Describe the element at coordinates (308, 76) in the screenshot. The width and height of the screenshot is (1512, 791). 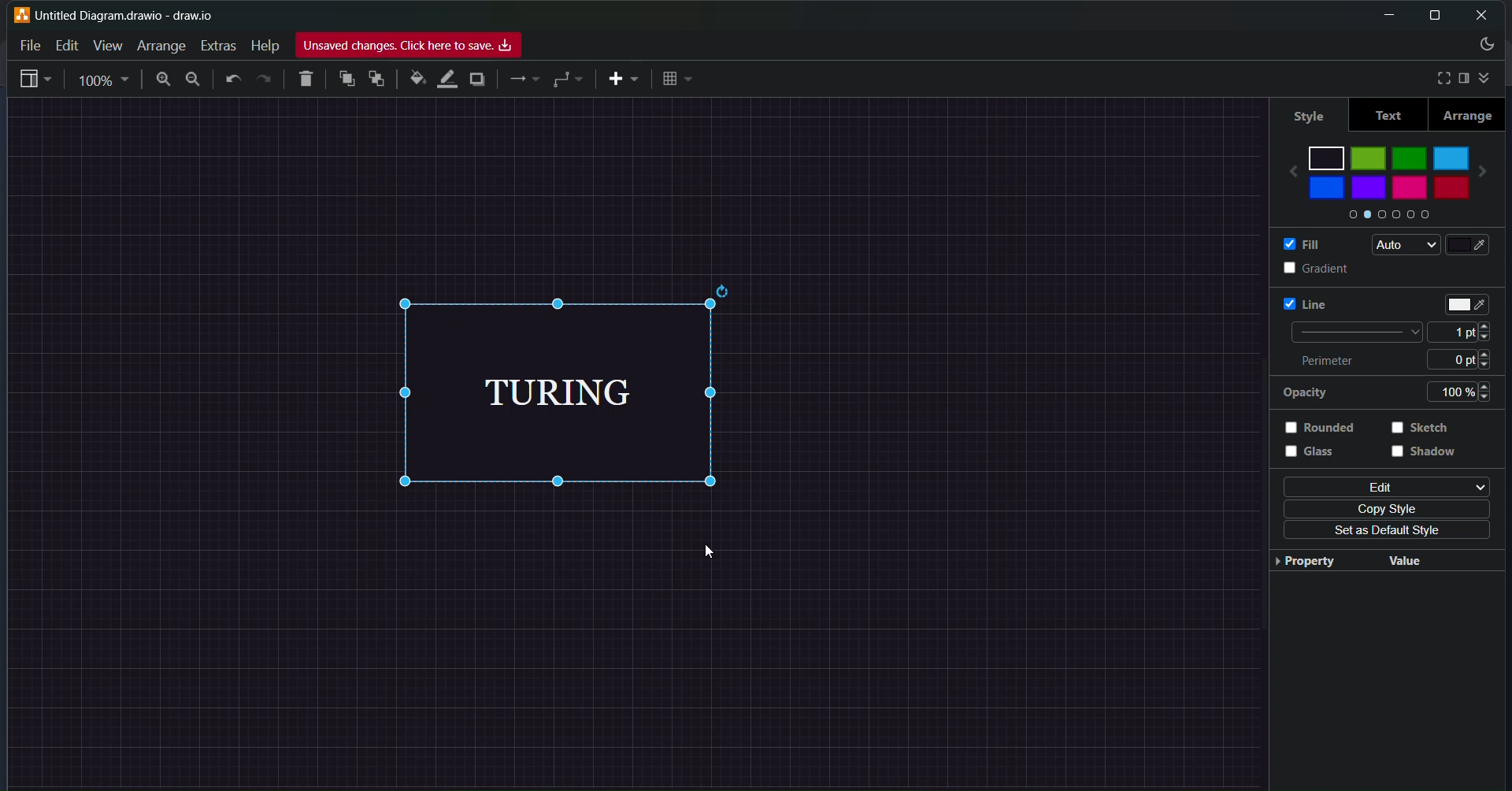
I see `delete` at that location.